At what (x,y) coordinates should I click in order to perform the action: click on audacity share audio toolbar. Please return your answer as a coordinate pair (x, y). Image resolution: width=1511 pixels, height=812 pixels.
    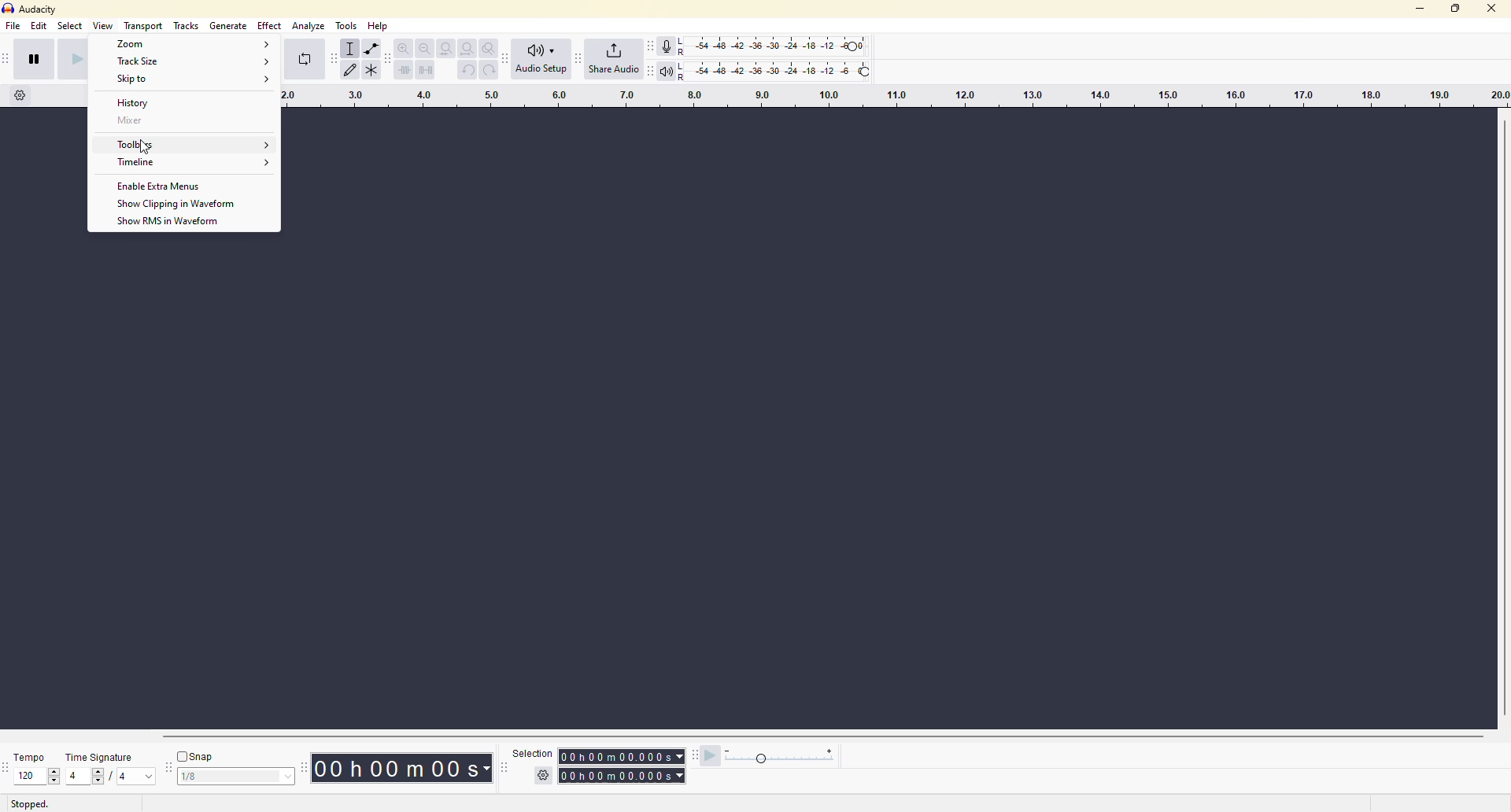
    Looking at the image, I should click on (578, 60).